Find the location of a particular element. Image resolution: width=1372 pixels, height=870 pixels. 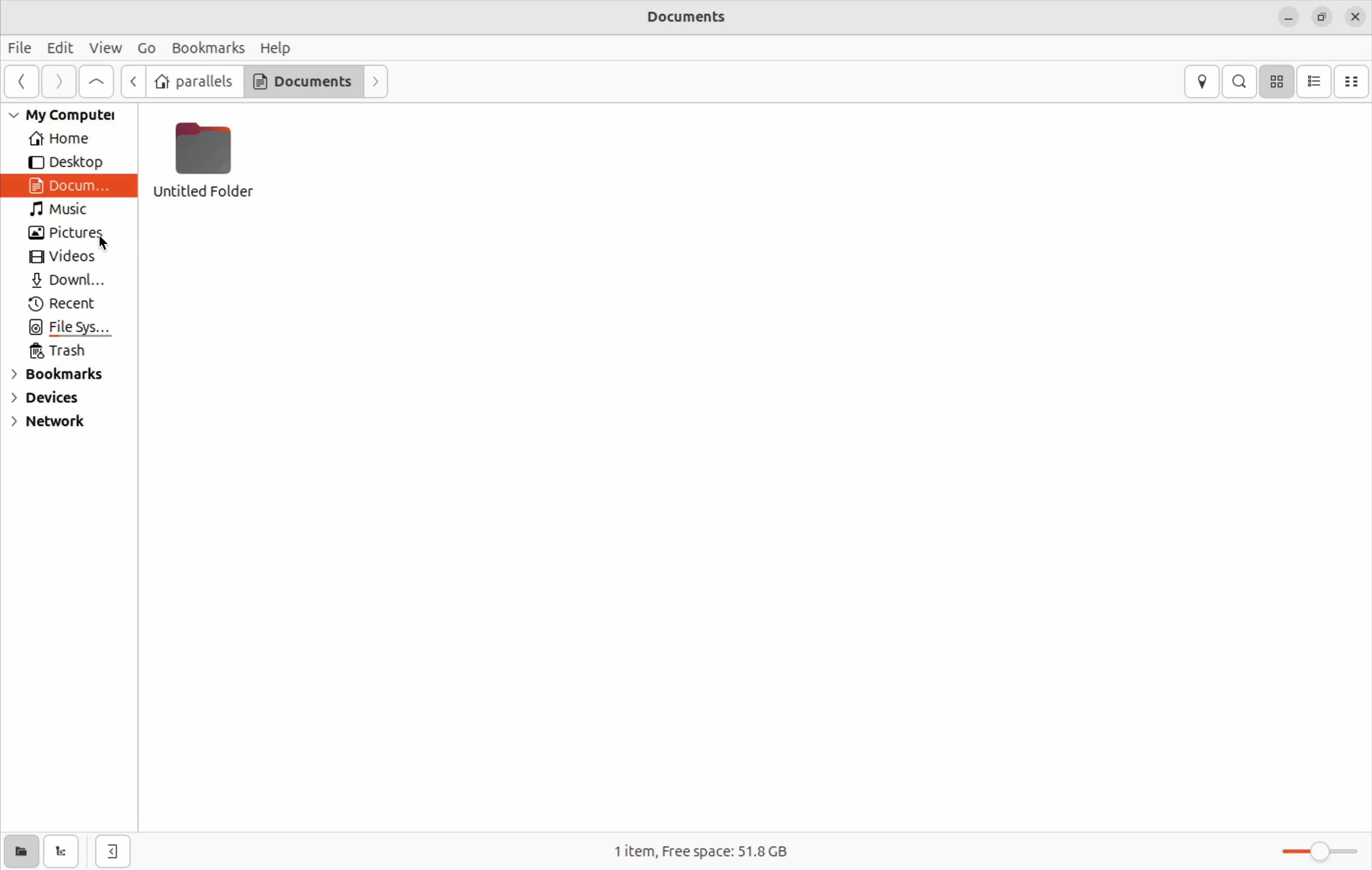

forward is located at coordinates (377, 81).